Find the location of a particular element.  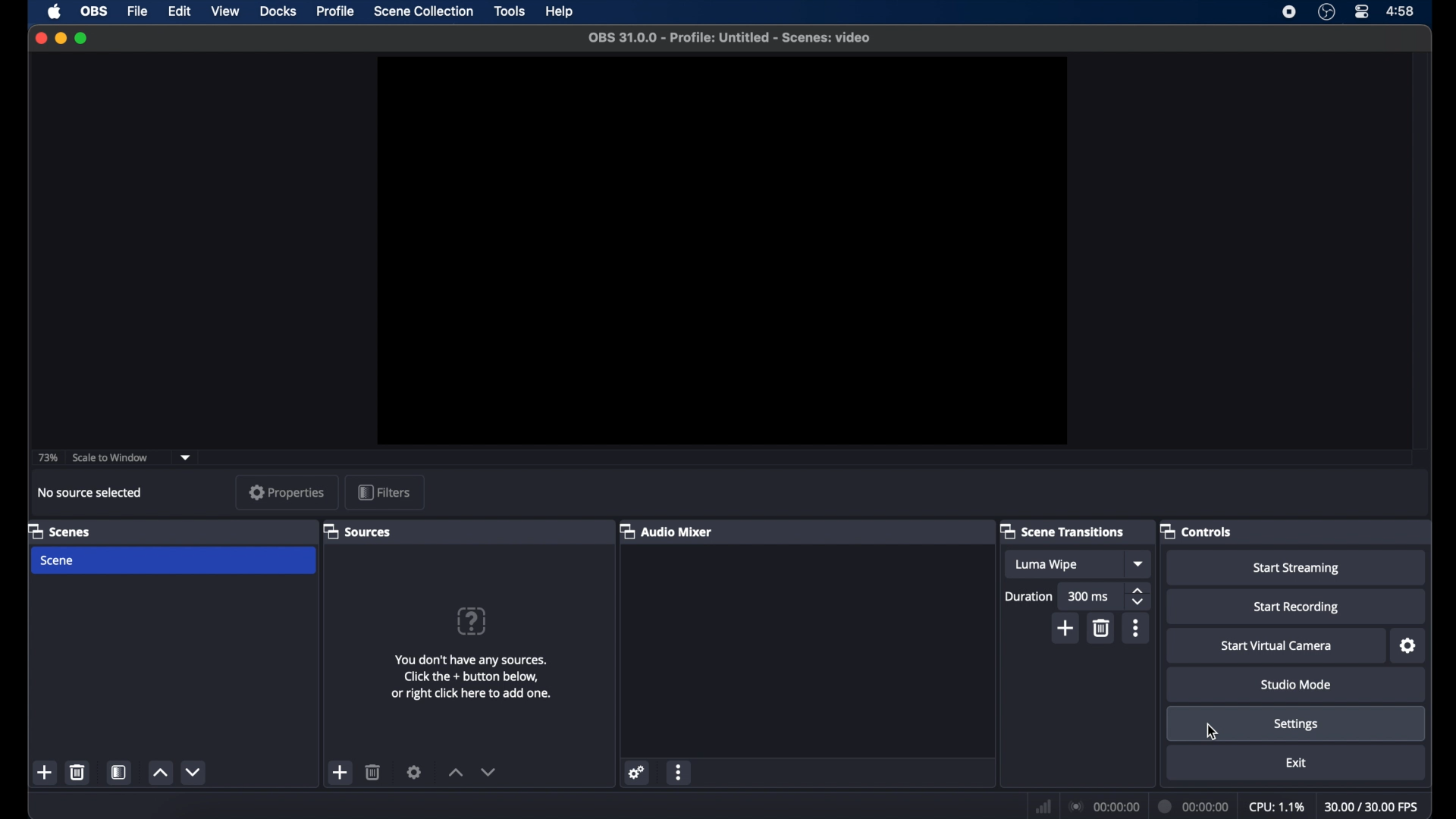

start streaming is located at coordinates (1297, 570).